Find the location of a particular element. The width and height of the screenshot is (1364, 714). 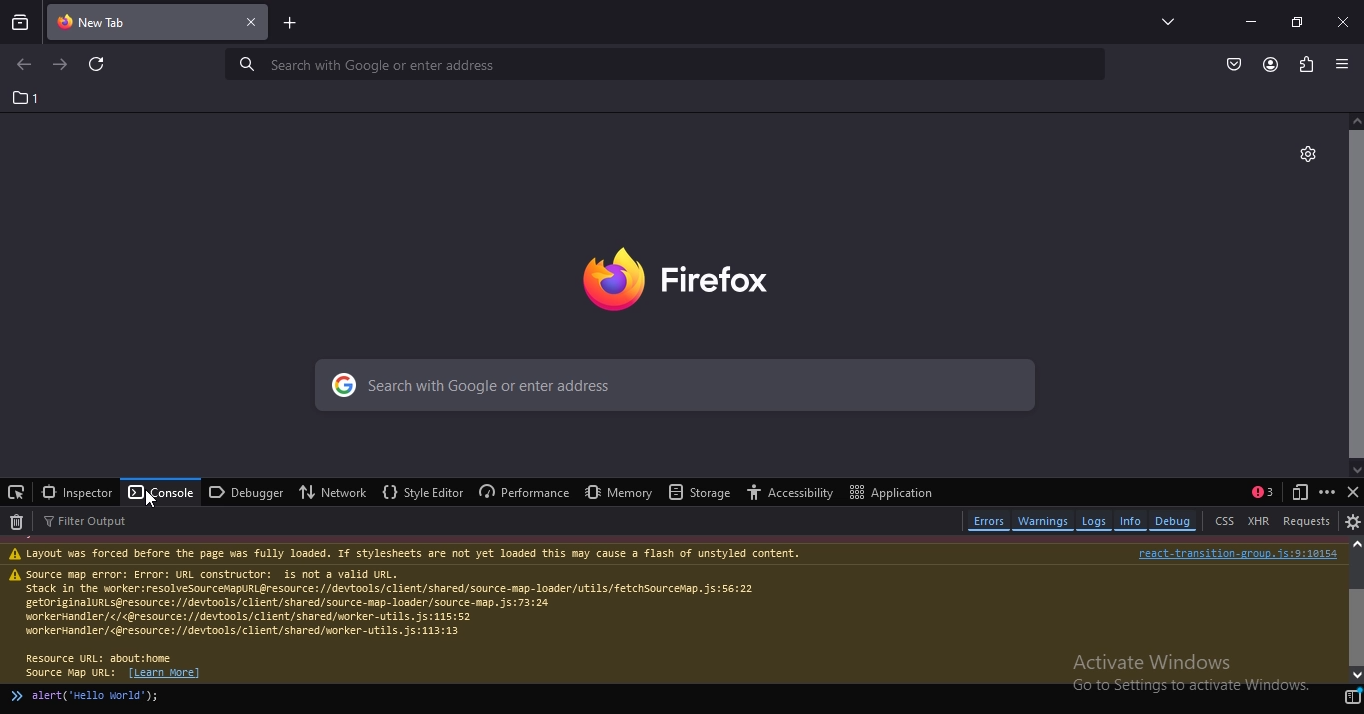

go to next page is located at coordinates (61, 65).